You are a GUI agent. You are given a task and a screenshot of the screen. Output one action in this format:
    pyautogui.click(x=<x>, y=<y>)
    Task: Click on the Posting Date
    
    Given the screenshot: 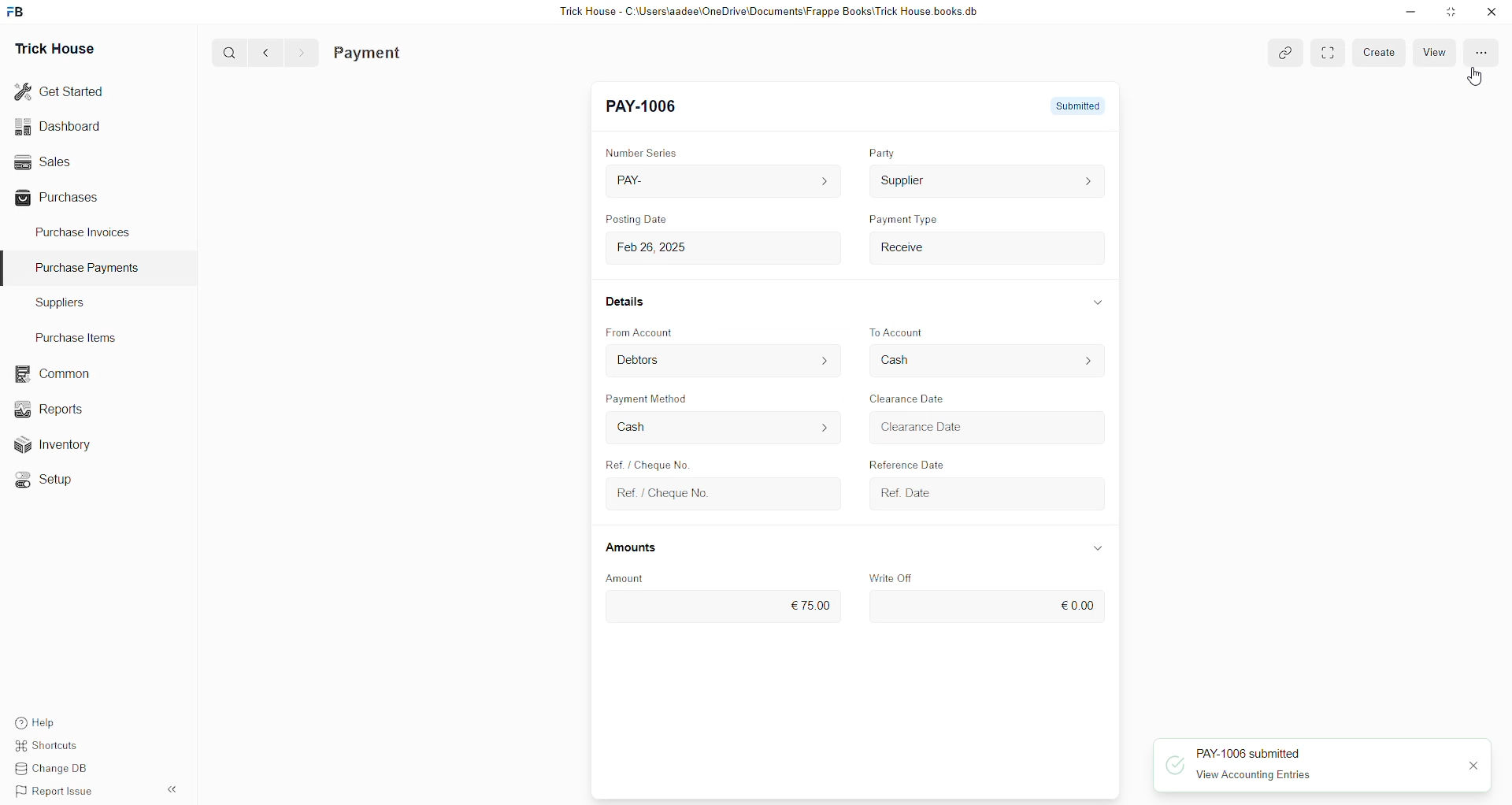 What is the action you would take?
    pyautogui.click(x=648, y=217)
    